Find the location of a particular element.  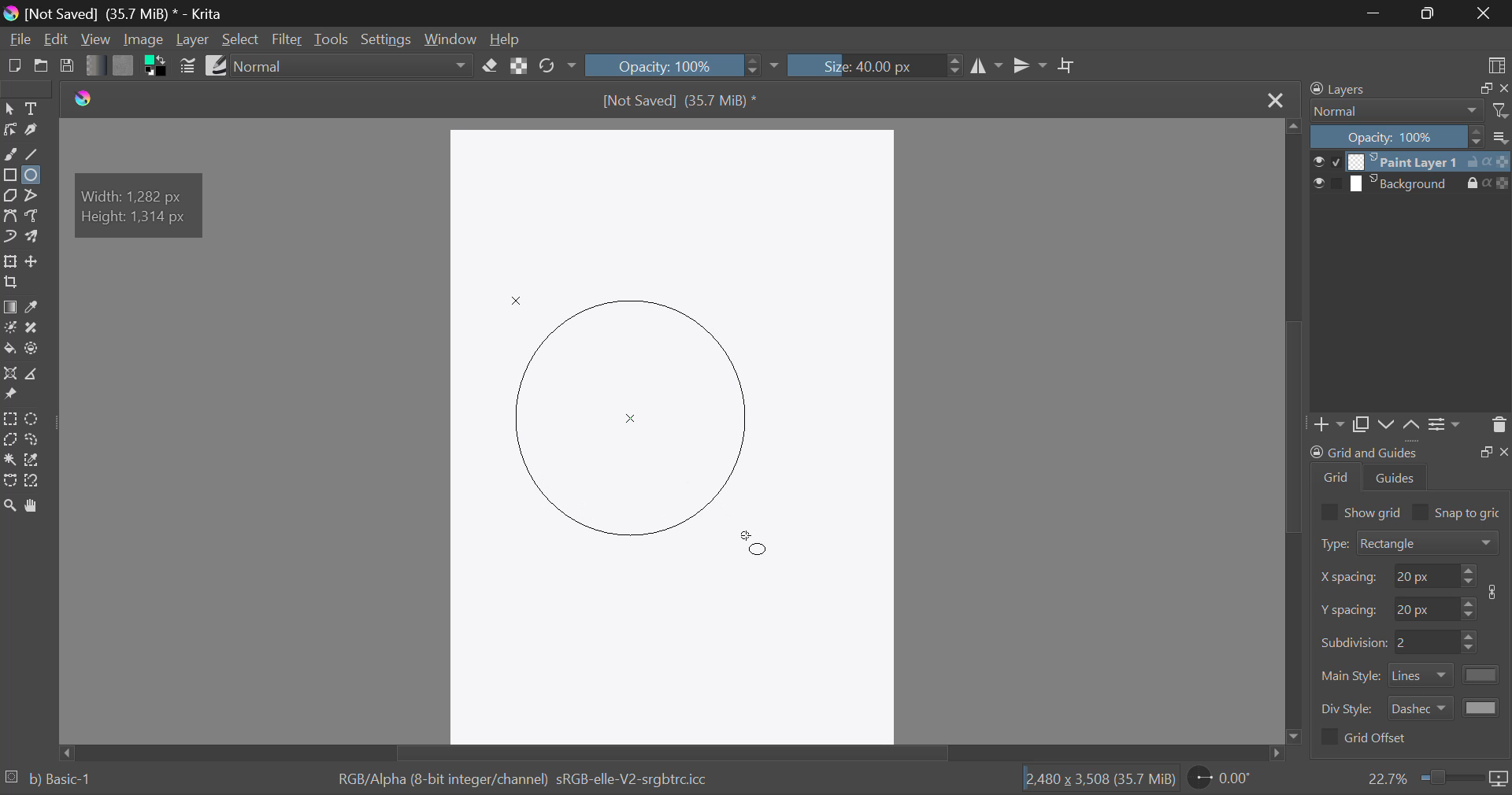

Ellipses Selected  is located at coordinates (31, 175).